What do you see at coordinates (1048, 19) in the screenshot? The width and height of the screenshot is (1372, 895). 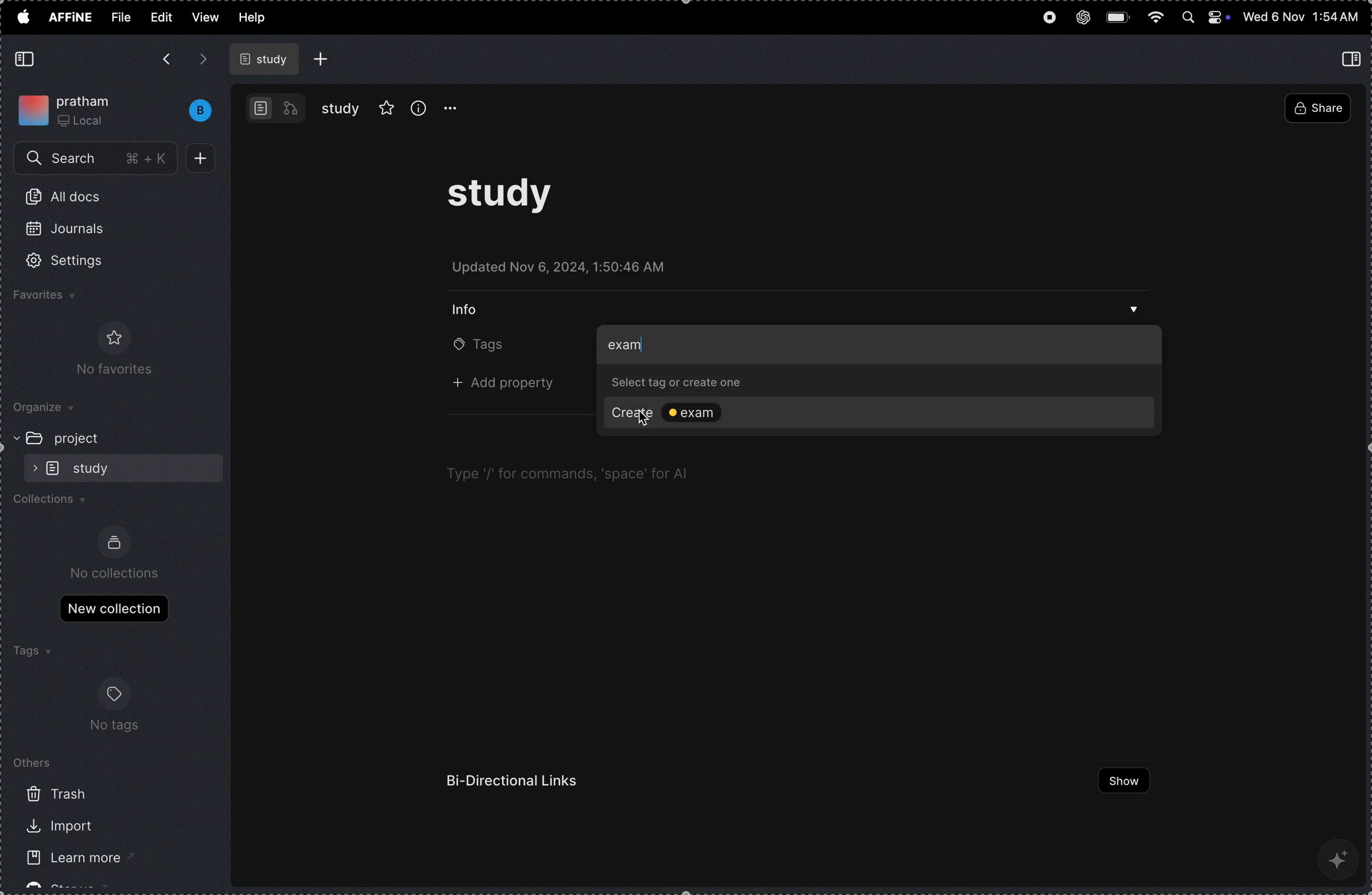 I see `record` at bounding box center [1048, 19].